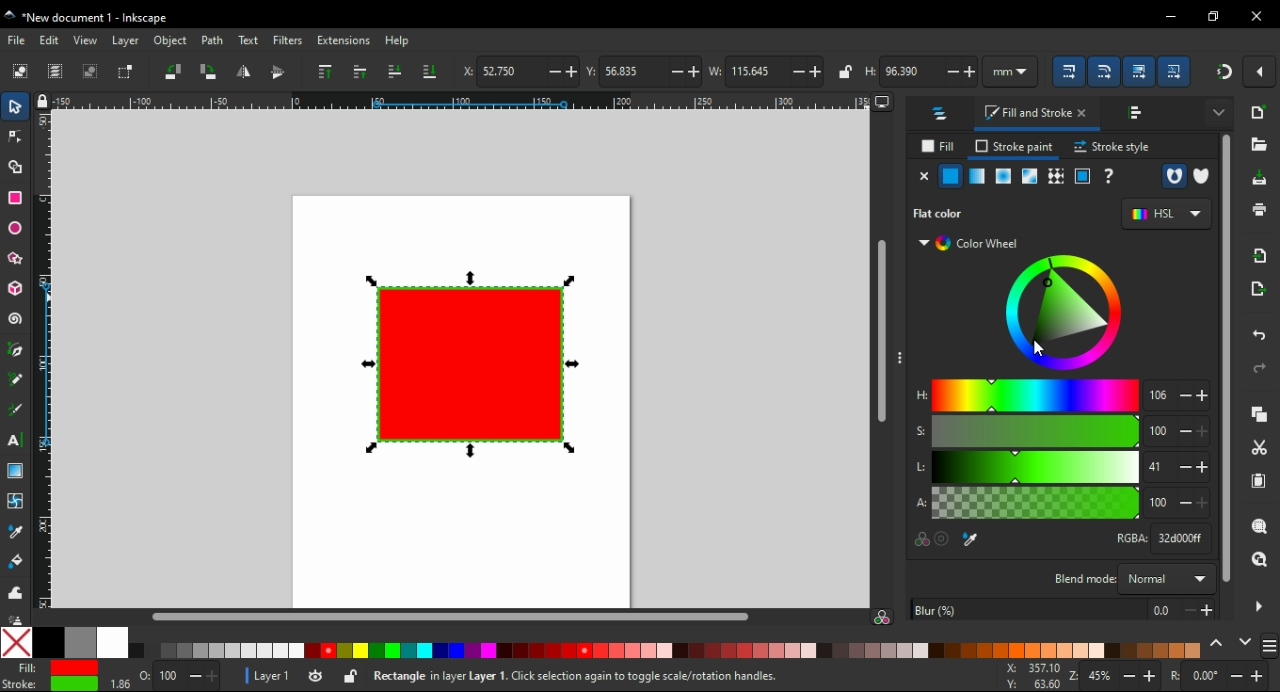  I want to click on pattern, so click(1057, 176).